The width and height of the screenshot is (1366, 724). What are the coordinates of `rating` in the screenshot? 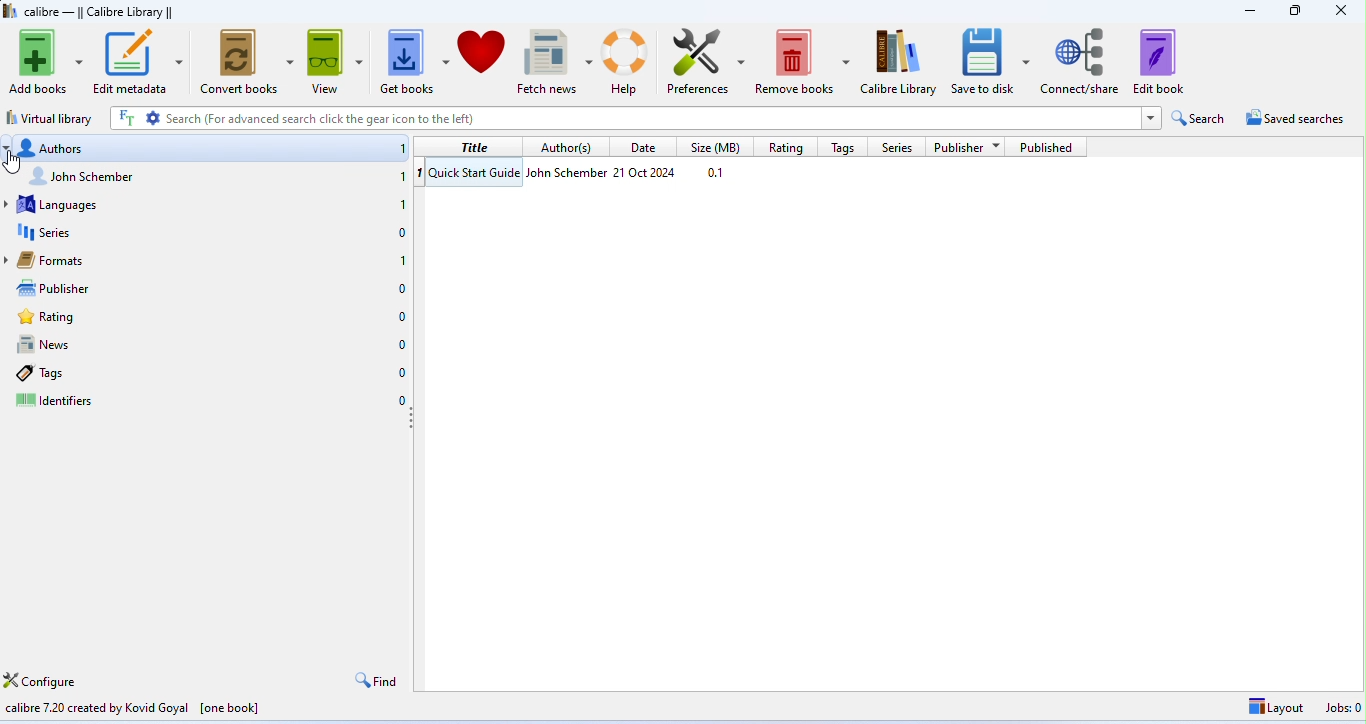 It's located at (211, 316).